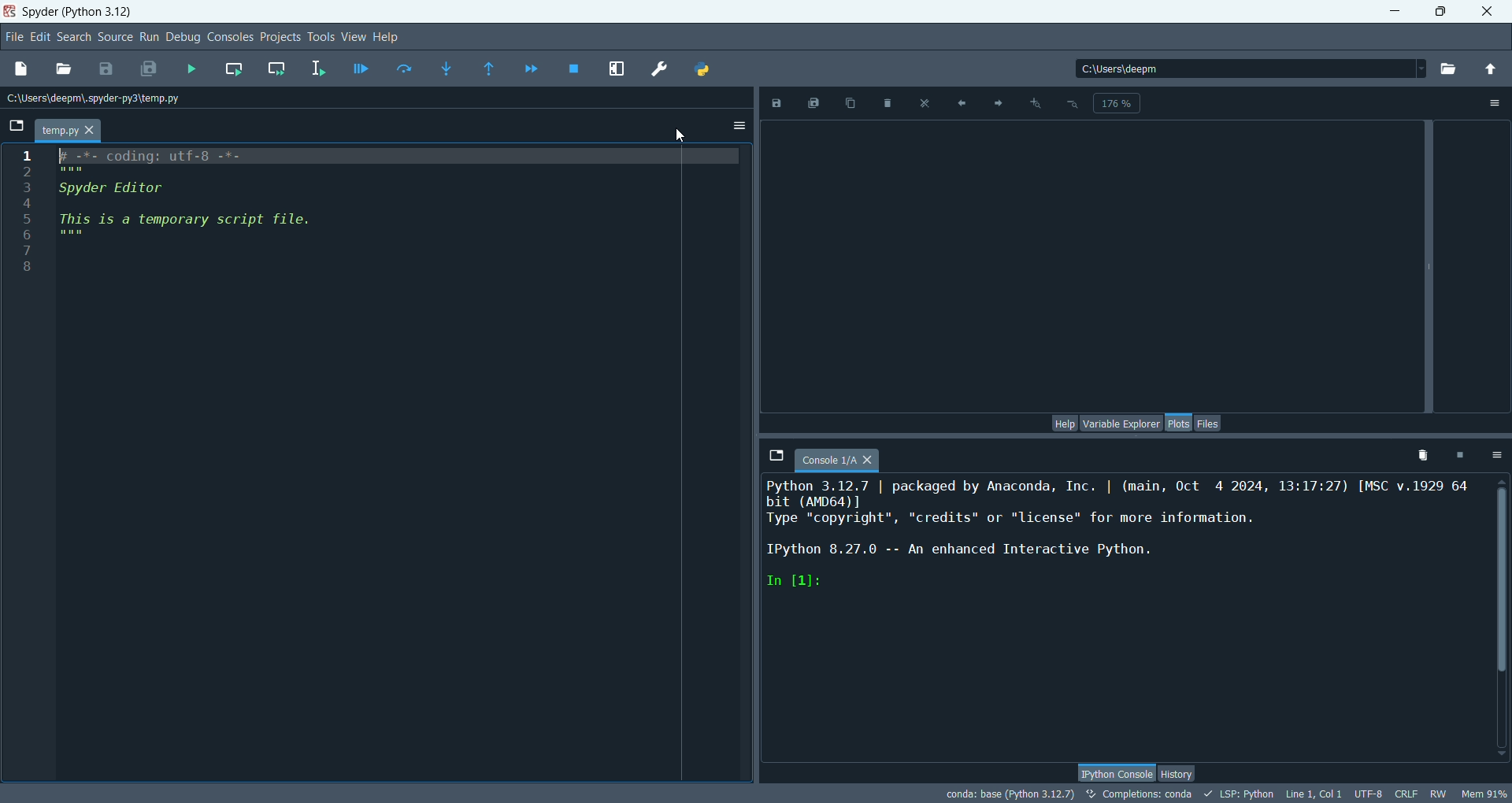  I want to click on vertical scroll bar, so click(1501, 619).